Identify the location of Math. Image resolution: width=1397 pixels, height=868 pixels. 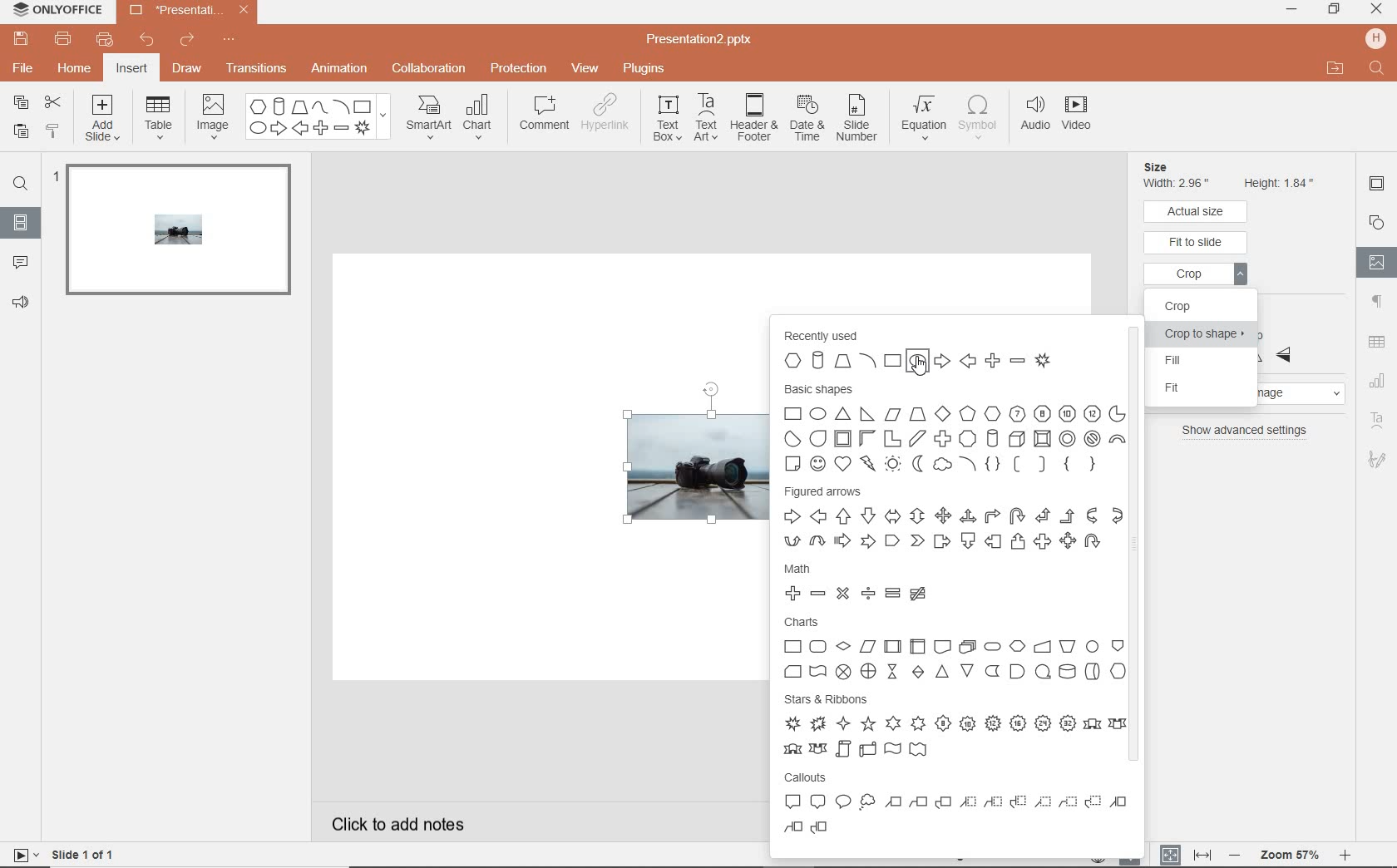
(866, 581).